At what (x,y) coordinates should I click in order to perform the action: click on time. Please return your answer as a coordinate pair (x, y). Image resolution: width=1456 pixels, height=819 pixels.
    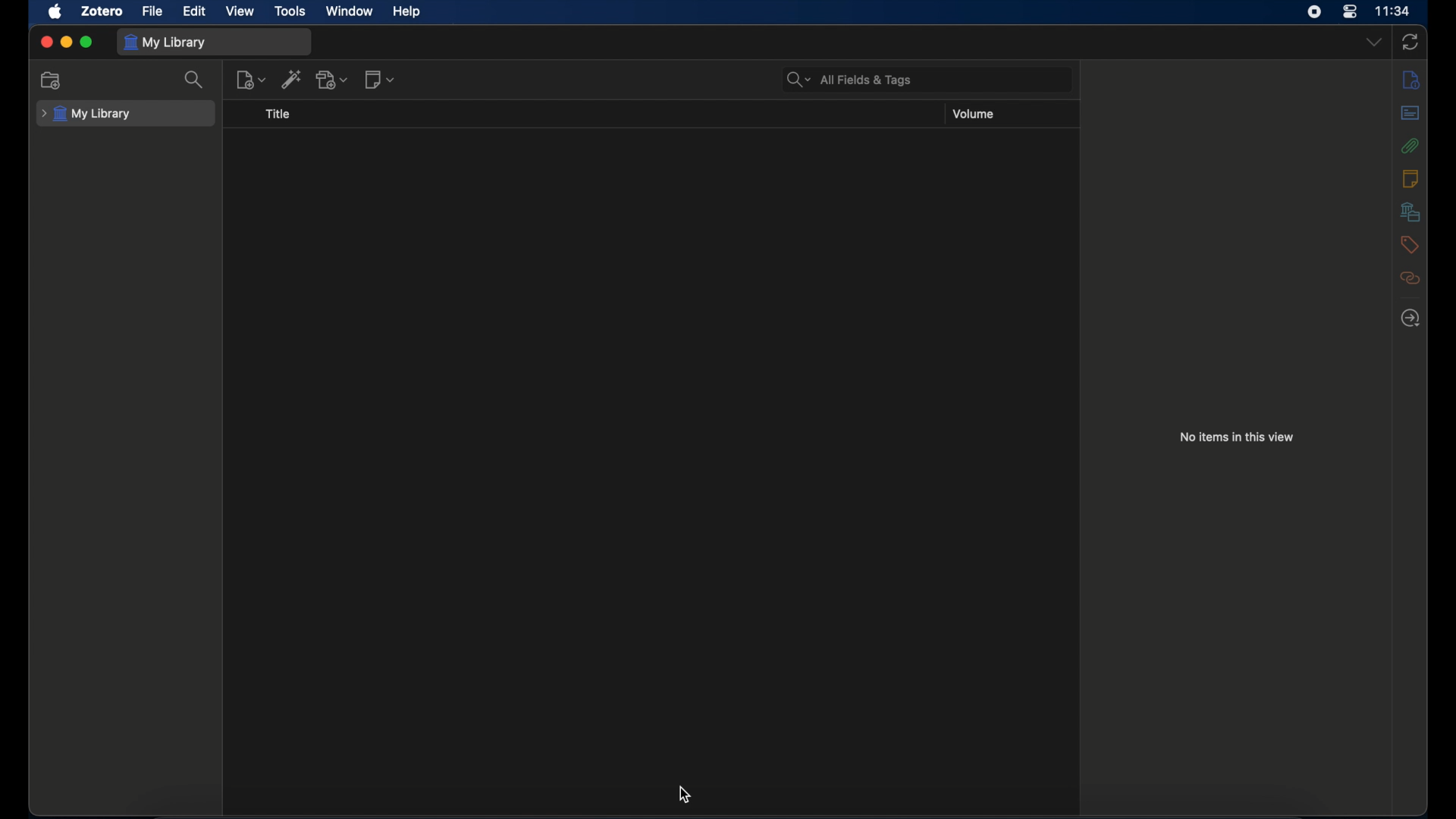
    Looking at the image, I should click on (1393, 10).